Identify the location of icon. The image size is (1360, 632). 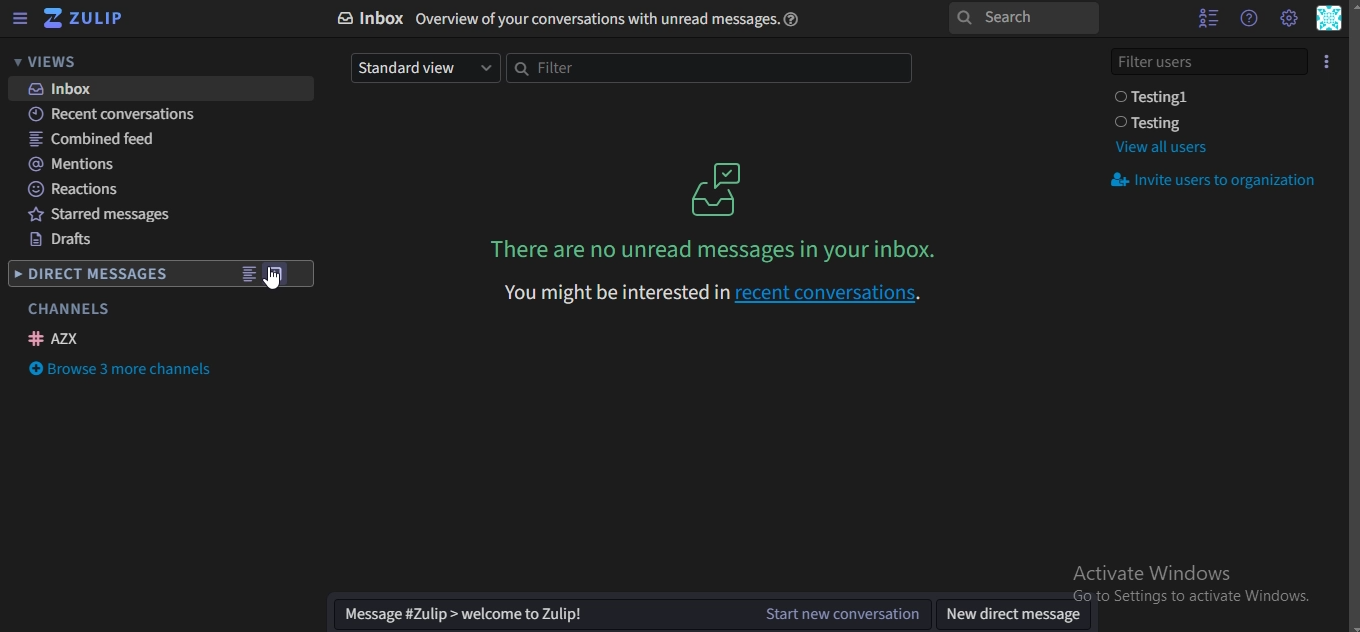
(719, 188).